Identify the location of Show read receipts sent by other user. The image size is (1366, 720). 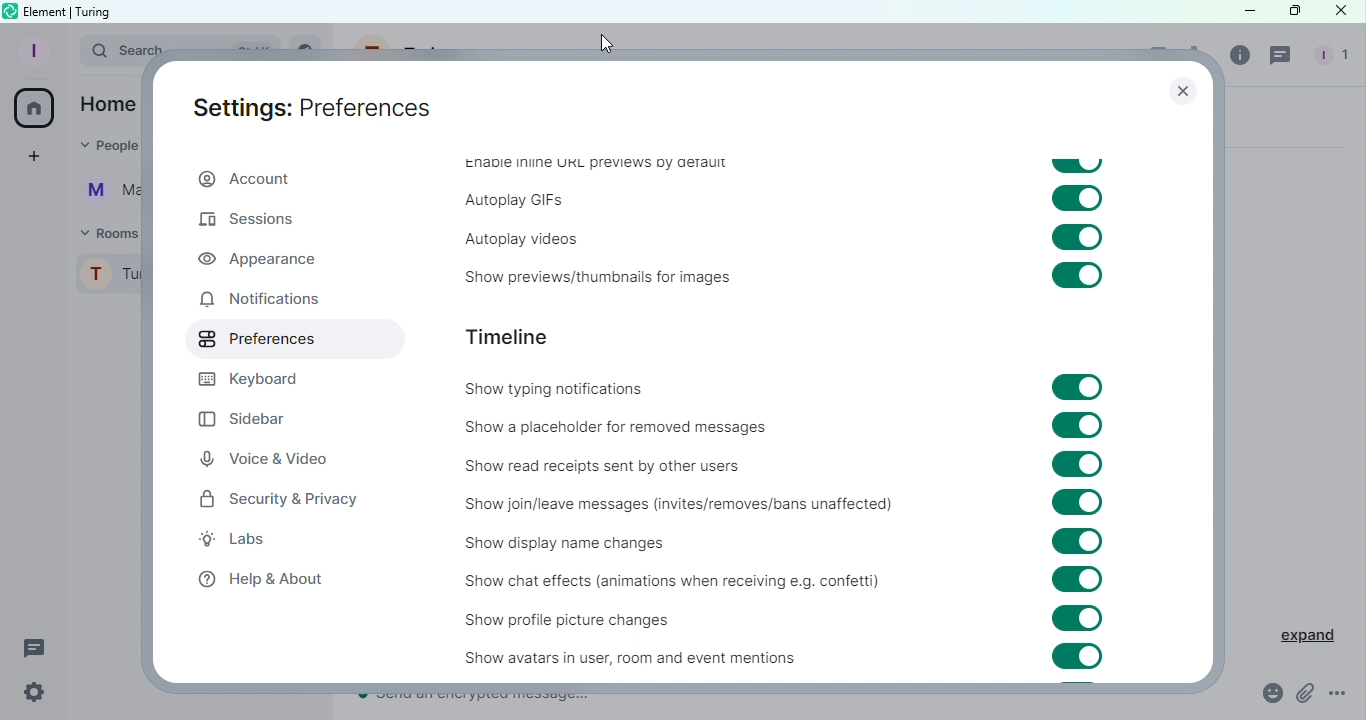
(664, 461).